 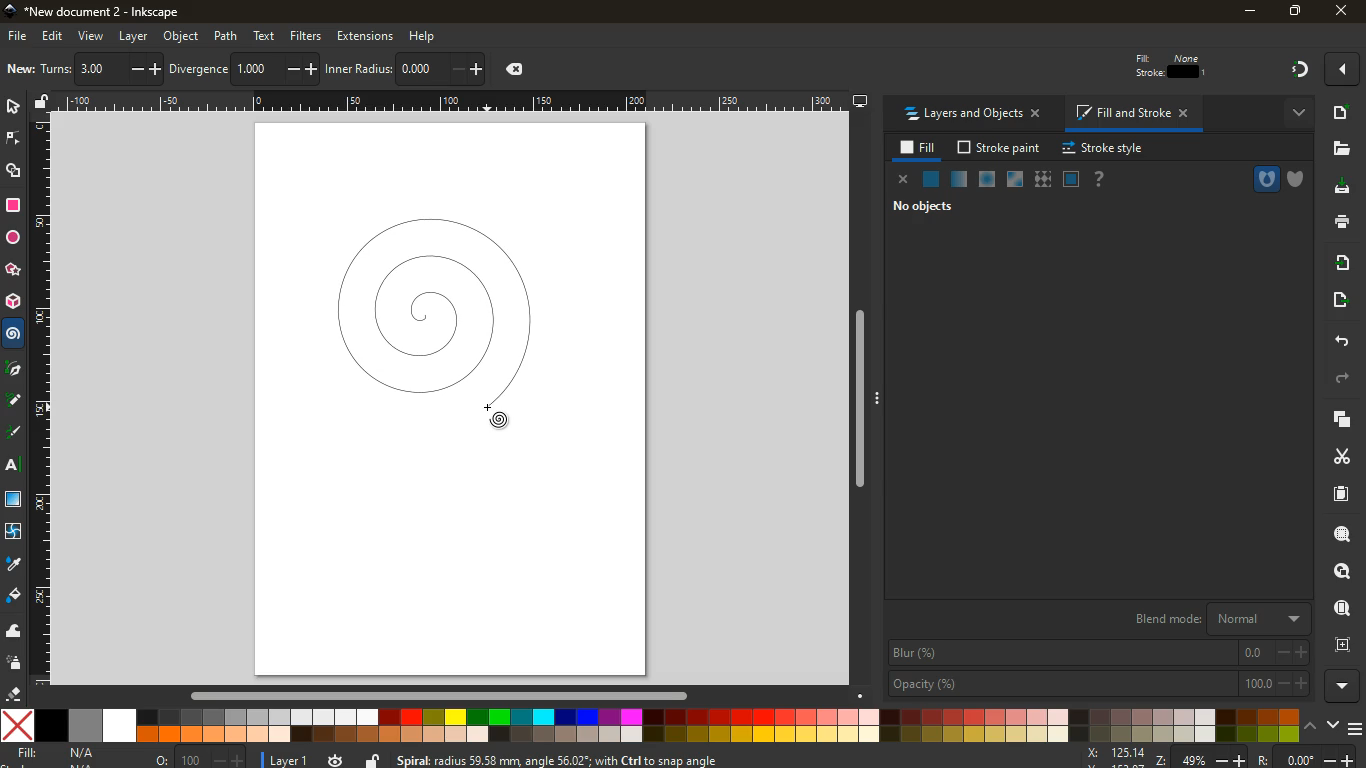 What do you see at coordinates (283, 70) in the screenshot?
I see `divide` at bounding box center [283, 70].